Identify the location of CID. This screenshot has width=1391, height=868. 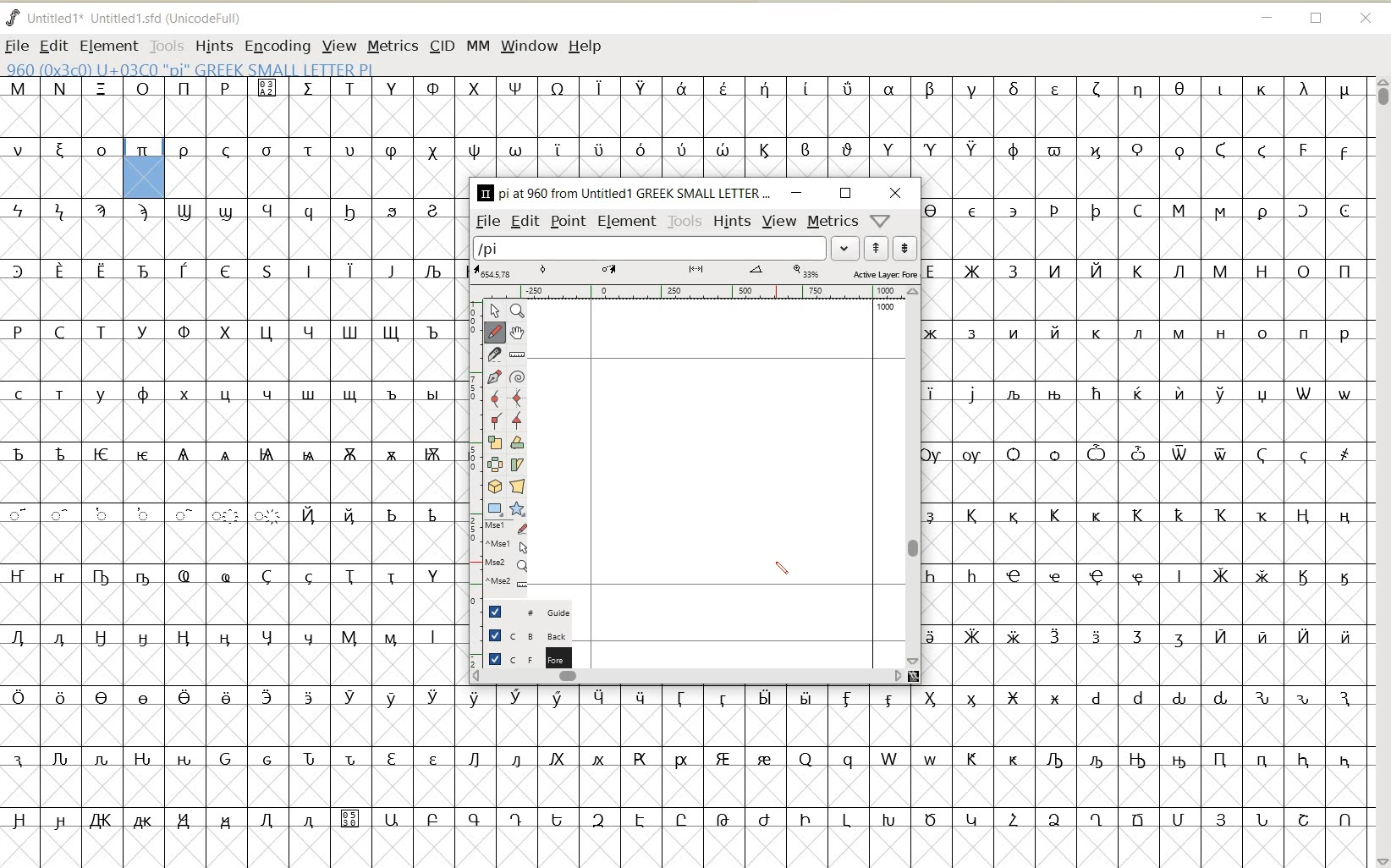
(443, 45).